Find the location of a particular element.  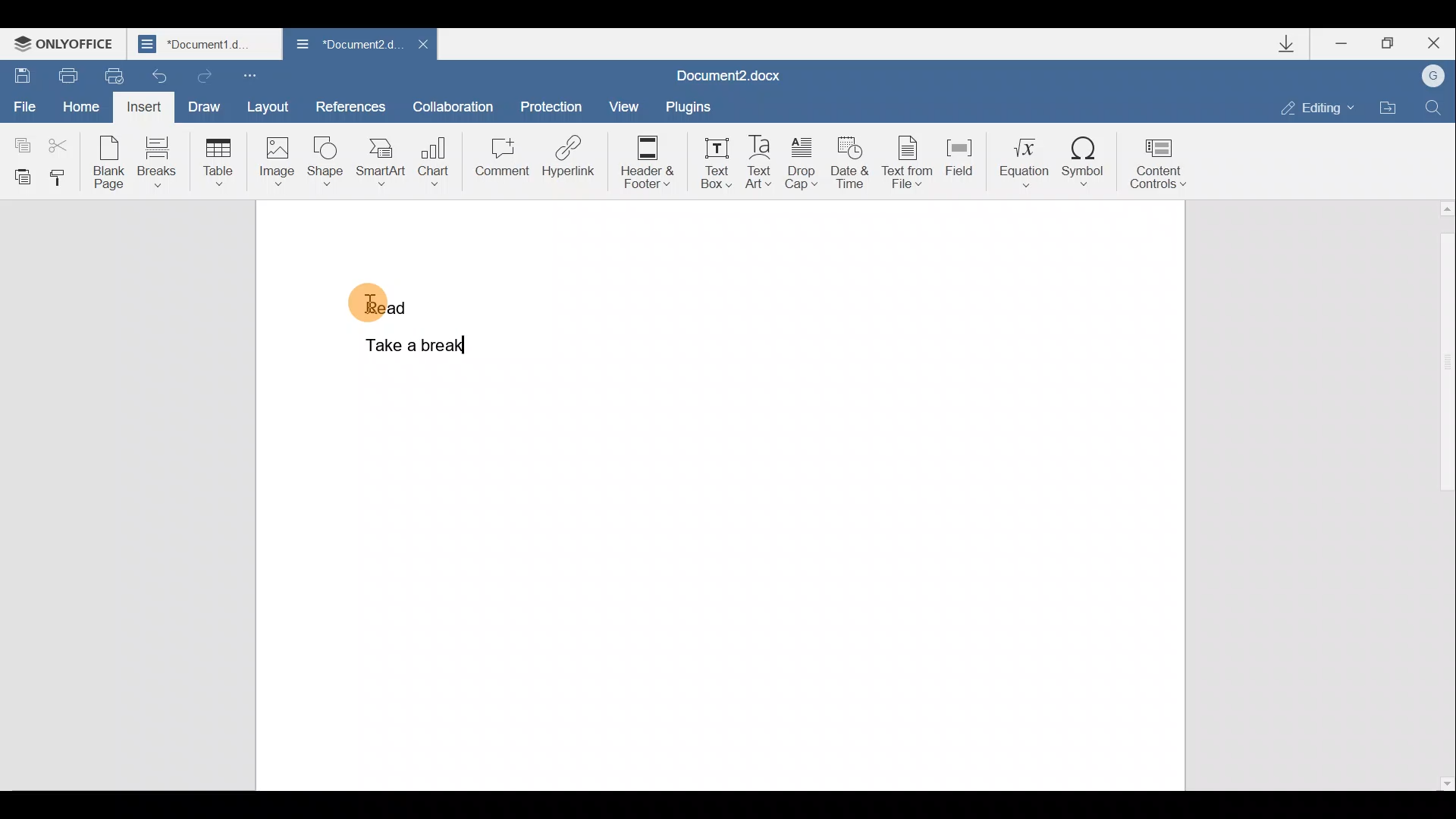

Image is located at coordinates (276, 161).